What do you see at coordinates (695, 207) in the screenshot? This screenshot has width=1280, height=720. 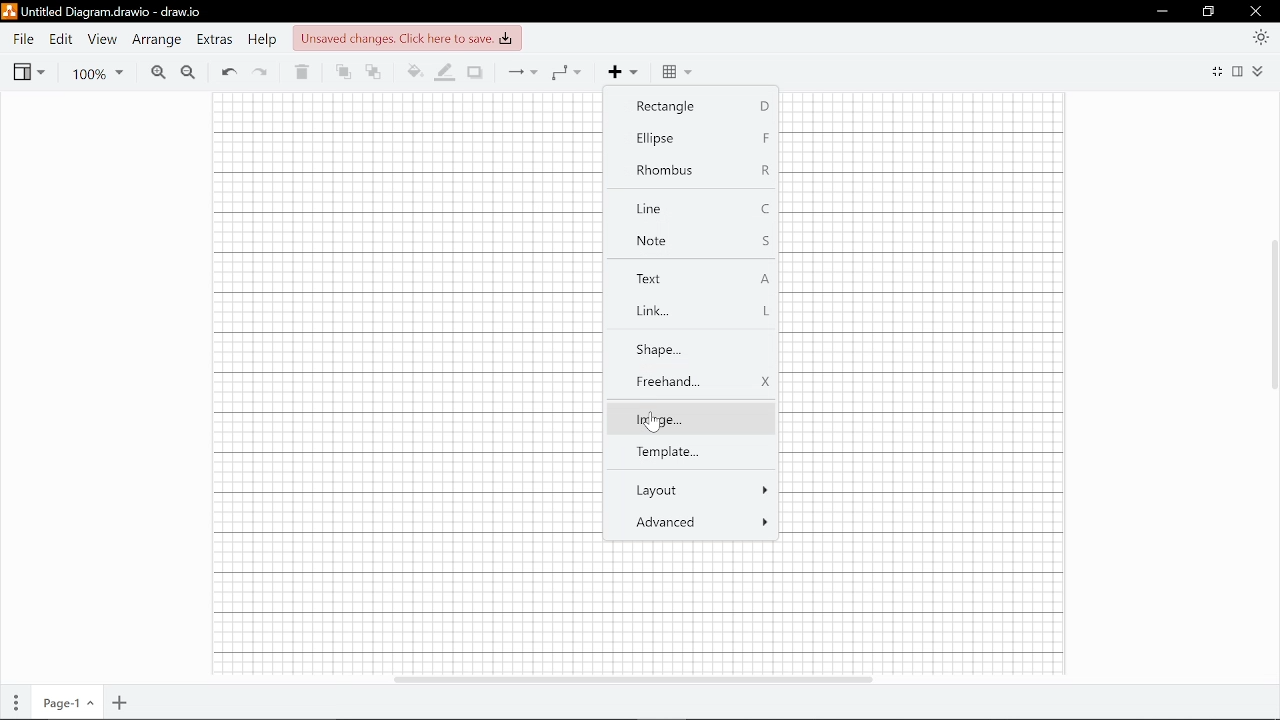 I see `Line` at bounding box center [695, 207].